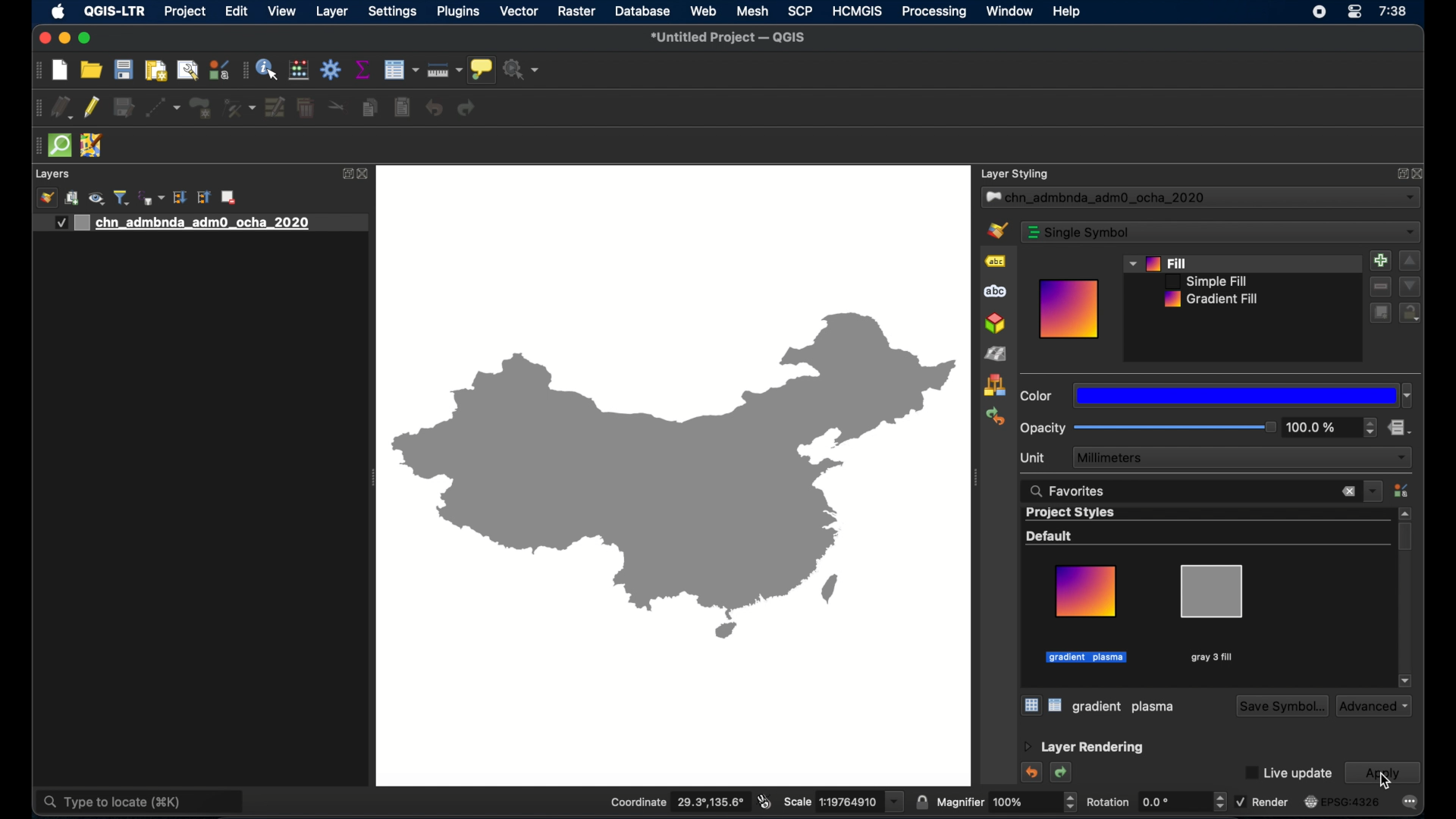 The image size is (1456, 819). I want to click on Live update, so click(1291, 774).